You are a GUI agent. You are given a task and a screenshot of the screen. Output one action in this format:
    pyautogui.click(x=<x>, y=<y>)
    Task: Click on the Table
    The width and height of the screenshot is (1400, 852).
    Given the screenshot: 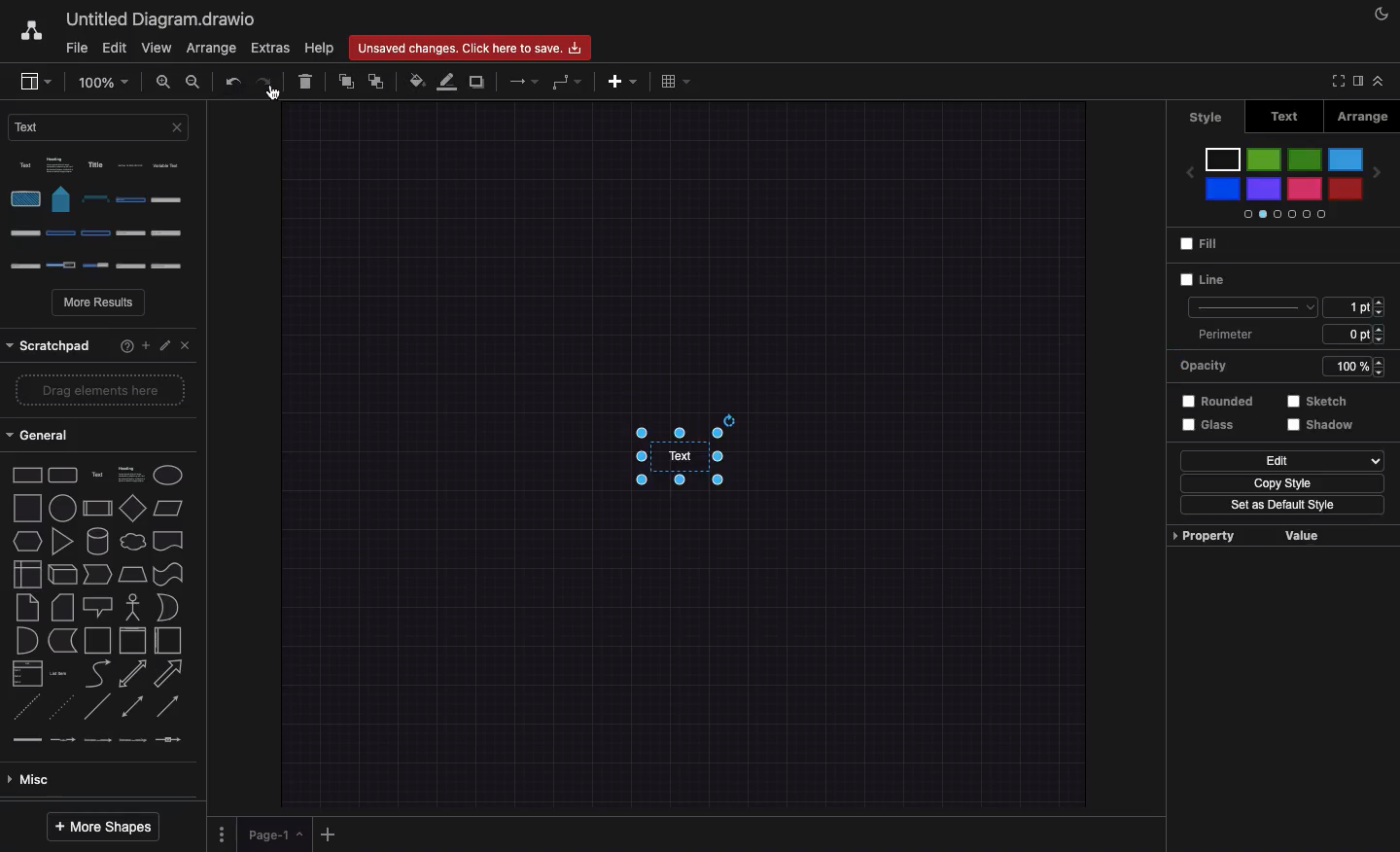 What is the action you would take?
    pyautogui.click(x=675, y=83)
    